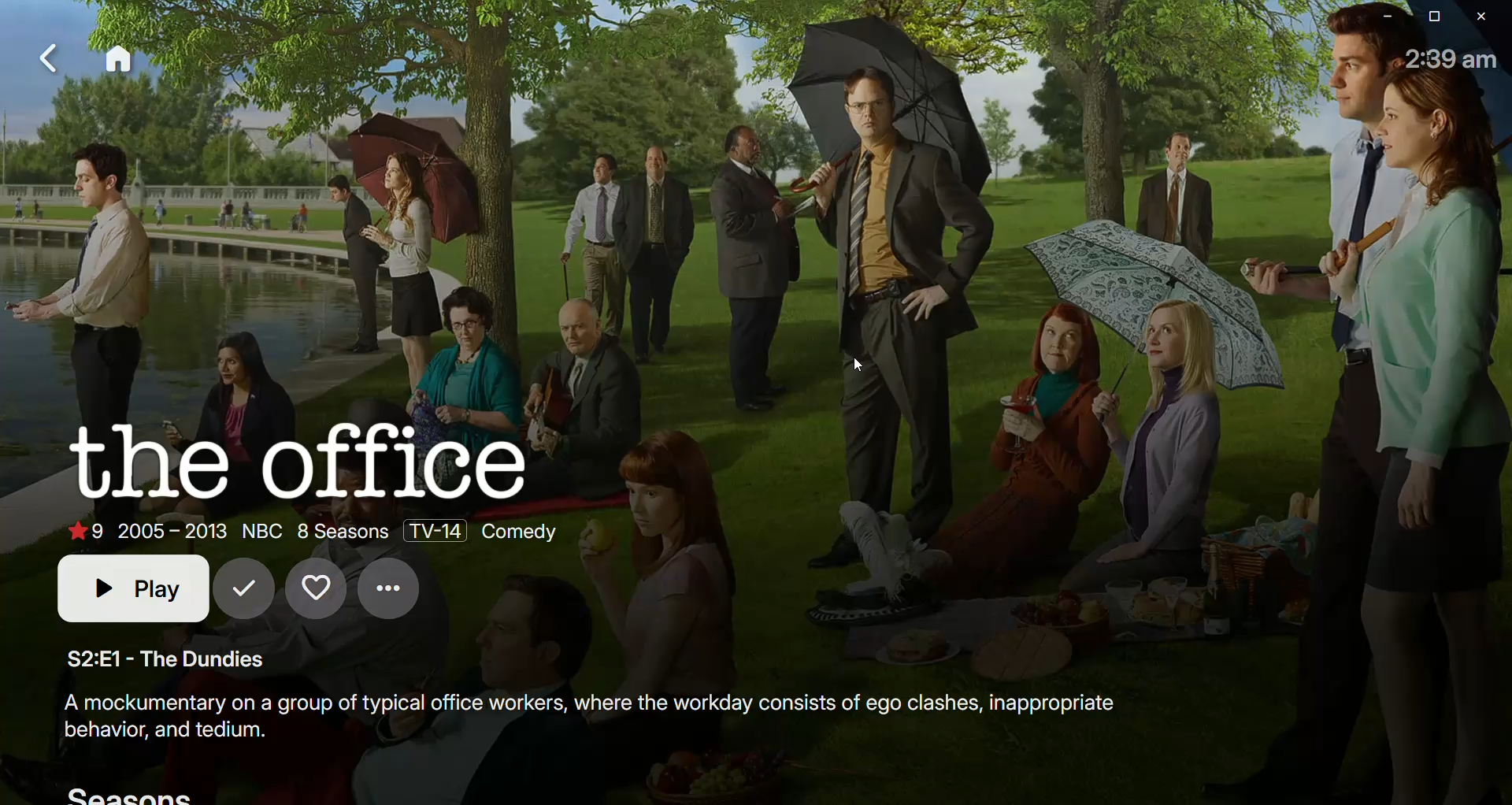 Image resolution: width=1512 pixels, height=805 pixels. What do you see at coordinates (128, 793) in the screenshot?
I see `Seasons` at bounding box center [128, 793].